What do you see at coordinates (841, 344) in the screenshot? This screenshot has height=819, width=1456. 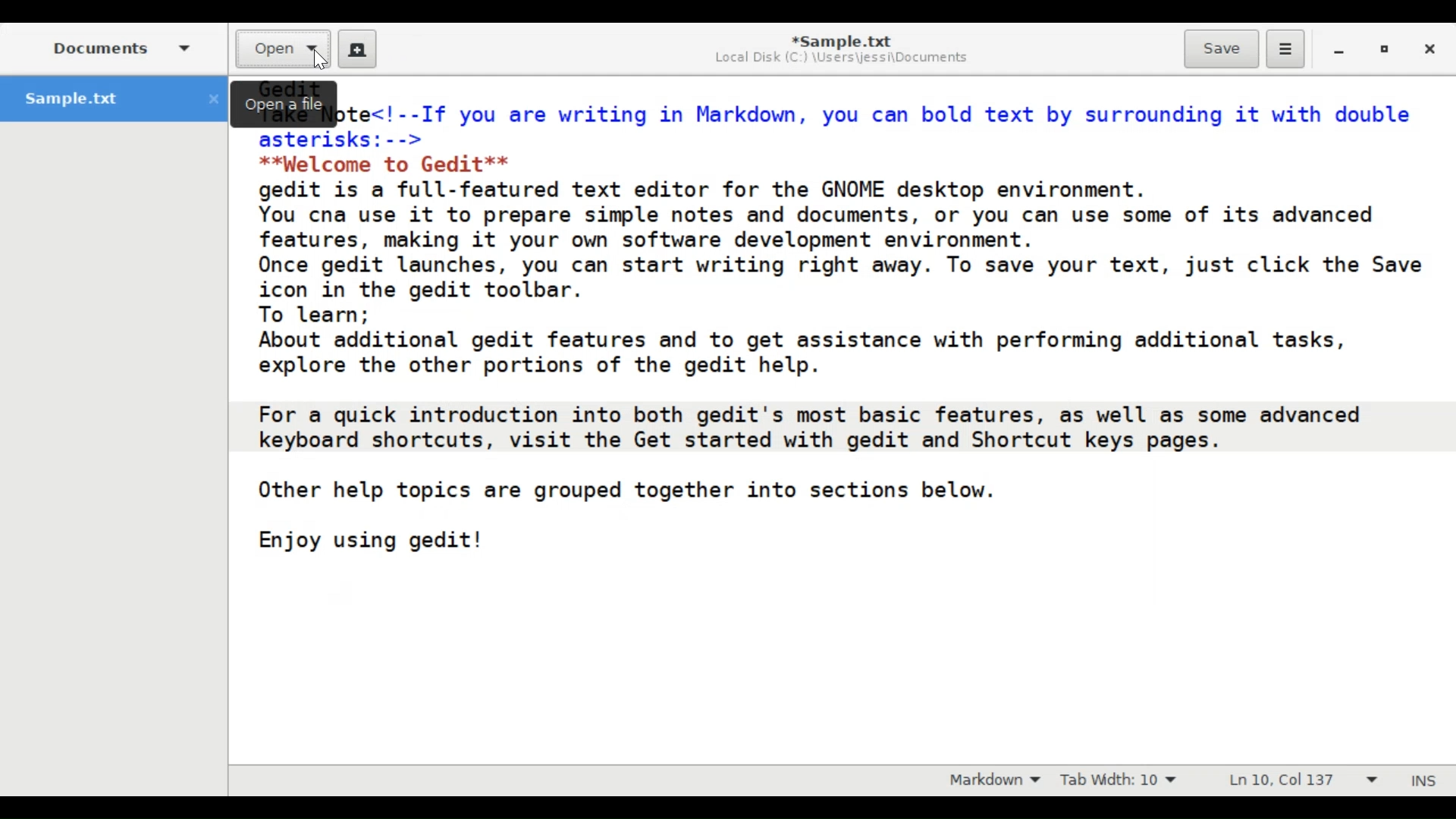 I see `**Welcome to Gedit**

gedit is a full-featured text editor for the GNOME desktop environment.

You cna use it to prepare simple notes and documents, or you can use some of its advanced
features, making it your own software development environment.

Once gedit launches, you can start writing right away. To save your text, just click the Save
icon in the gedit toolbar.

To learn;

About additional gedit features and to get assistance with performing additional tasks,
explore the other portions of the gedit help.

For a quick introduction into both gedit's most basic features, as well as some advanced
keyboard shortcuts, visit the Get started with gedit and Shortcut keys pages.

Other help topics are grouped together into sections below.

Enjoy using gedit!` at bounding box center [841, 344].